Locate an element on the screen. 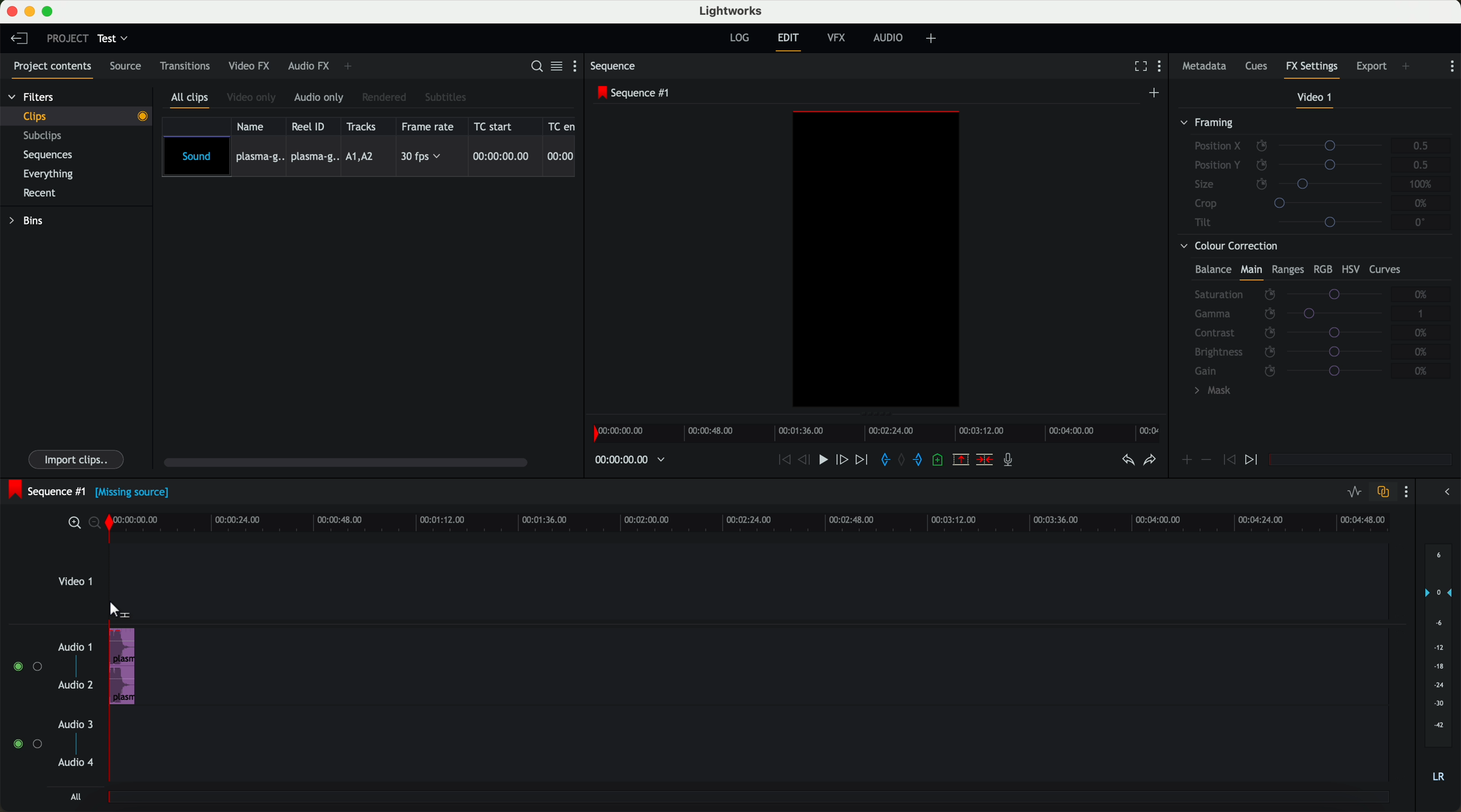  sequence is located at coordinates (617, 67).